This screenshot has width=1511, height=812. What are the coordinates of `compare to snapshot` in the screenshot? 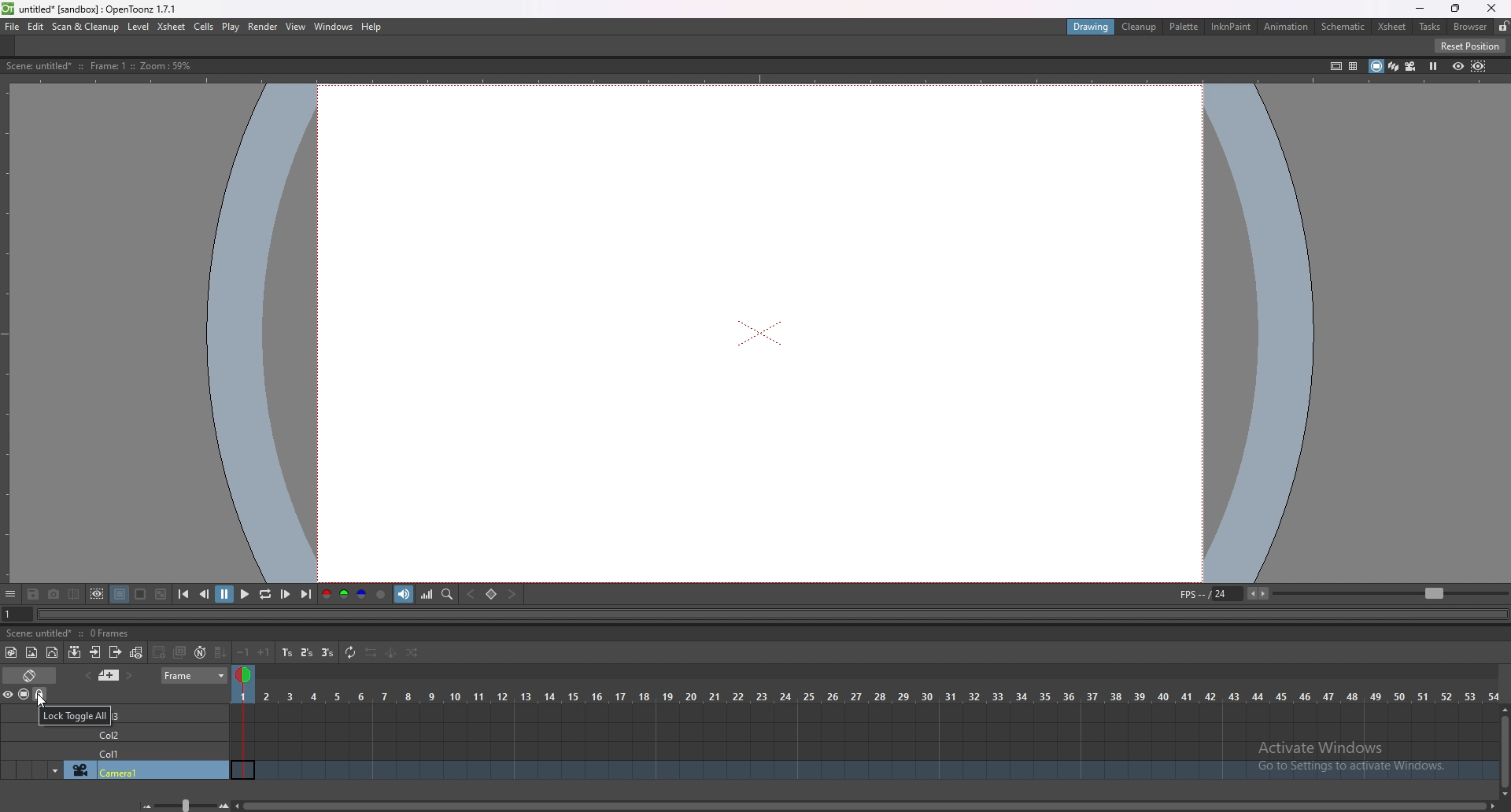 It's located at (76, 594).